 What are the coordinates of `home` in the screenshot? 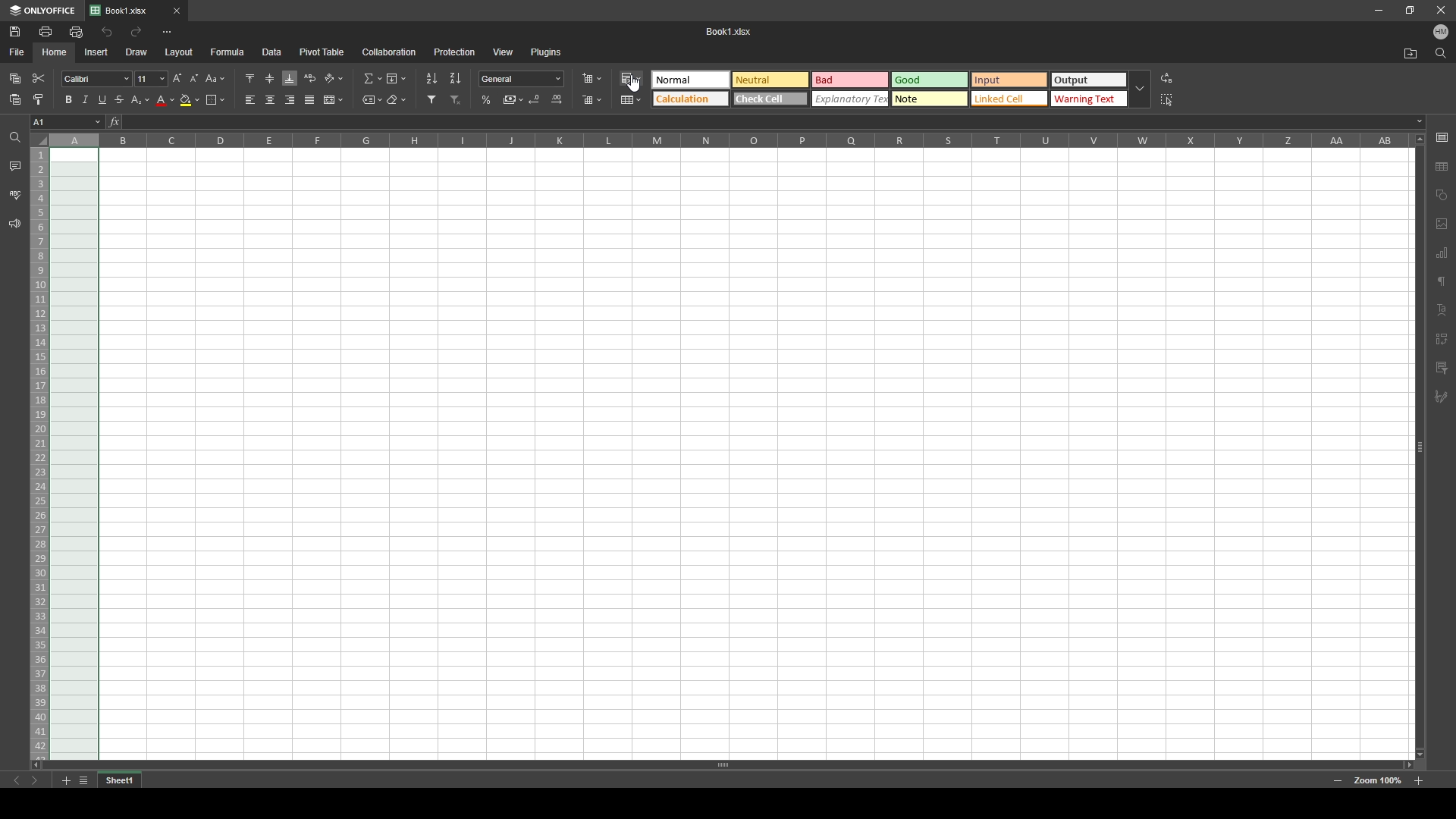 It's located at (55, 52).